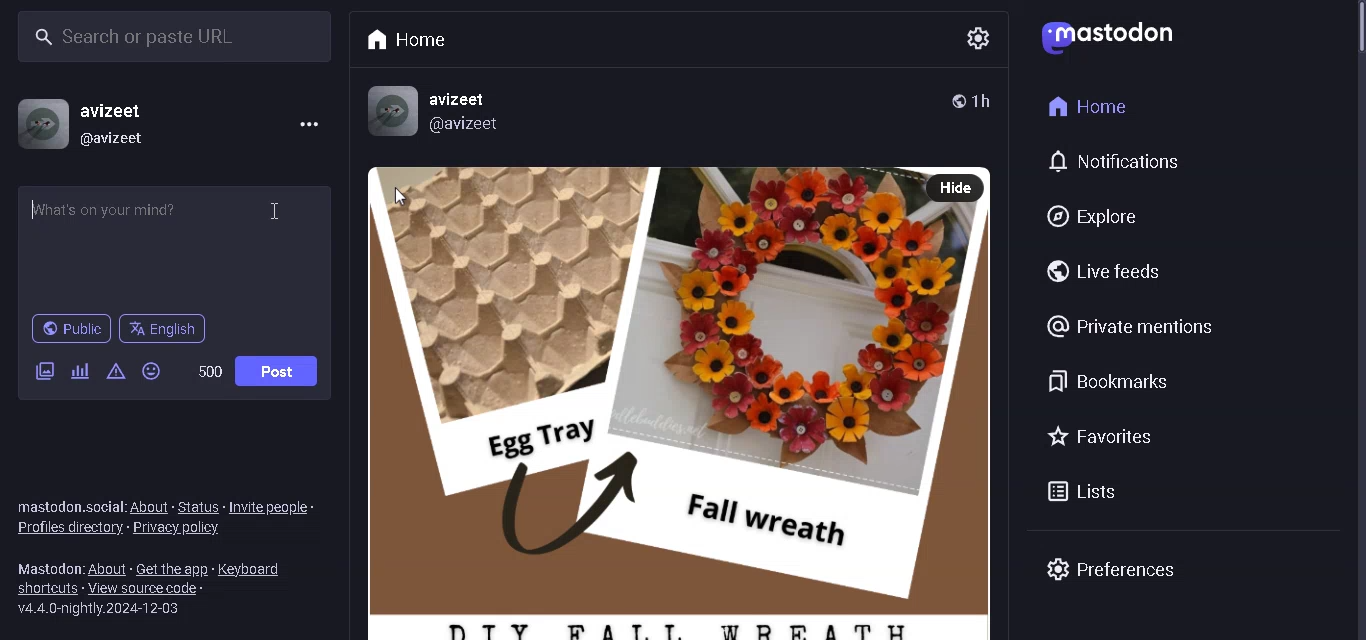 The image size is (1366, 640). What do you see at coordinates (211, 372) in the screenshot?
I see `WORD LIMIT` at bounding box center [211, 372].